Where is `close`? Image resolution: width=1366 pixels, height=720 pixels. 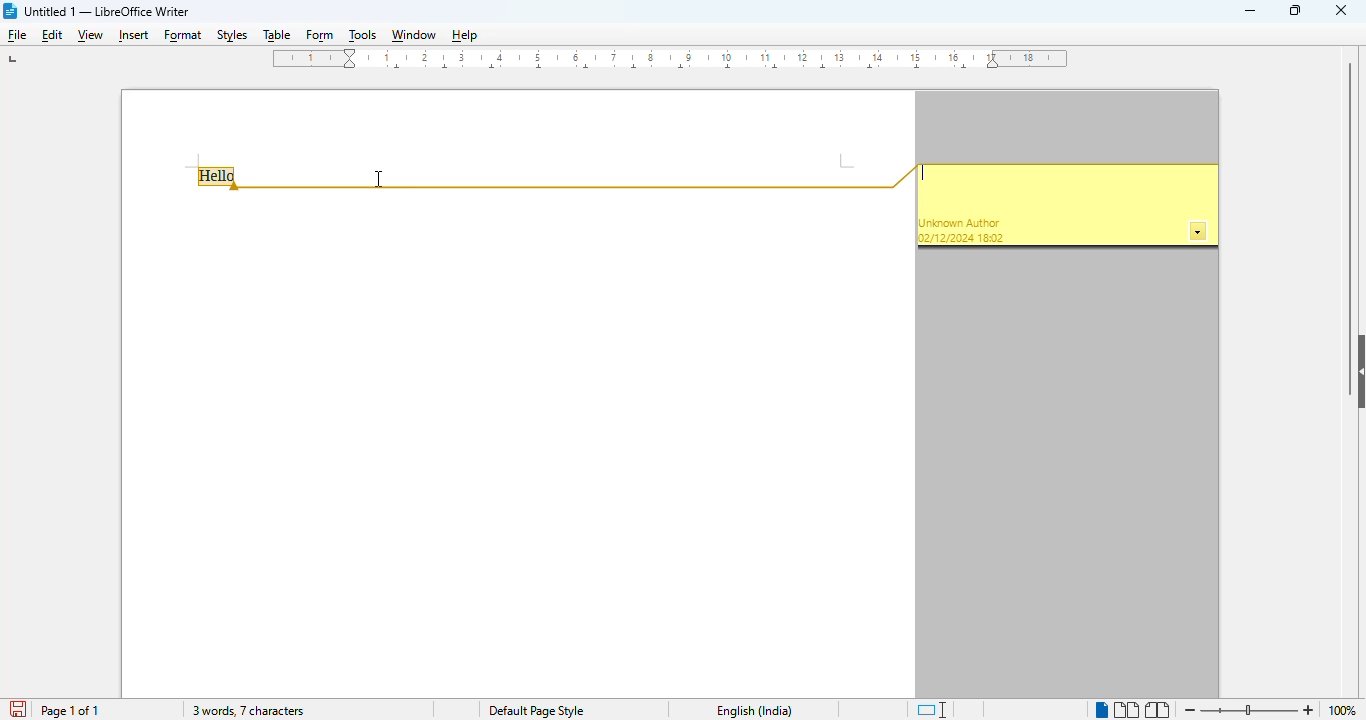 close is located at coordinates (1341, 9).